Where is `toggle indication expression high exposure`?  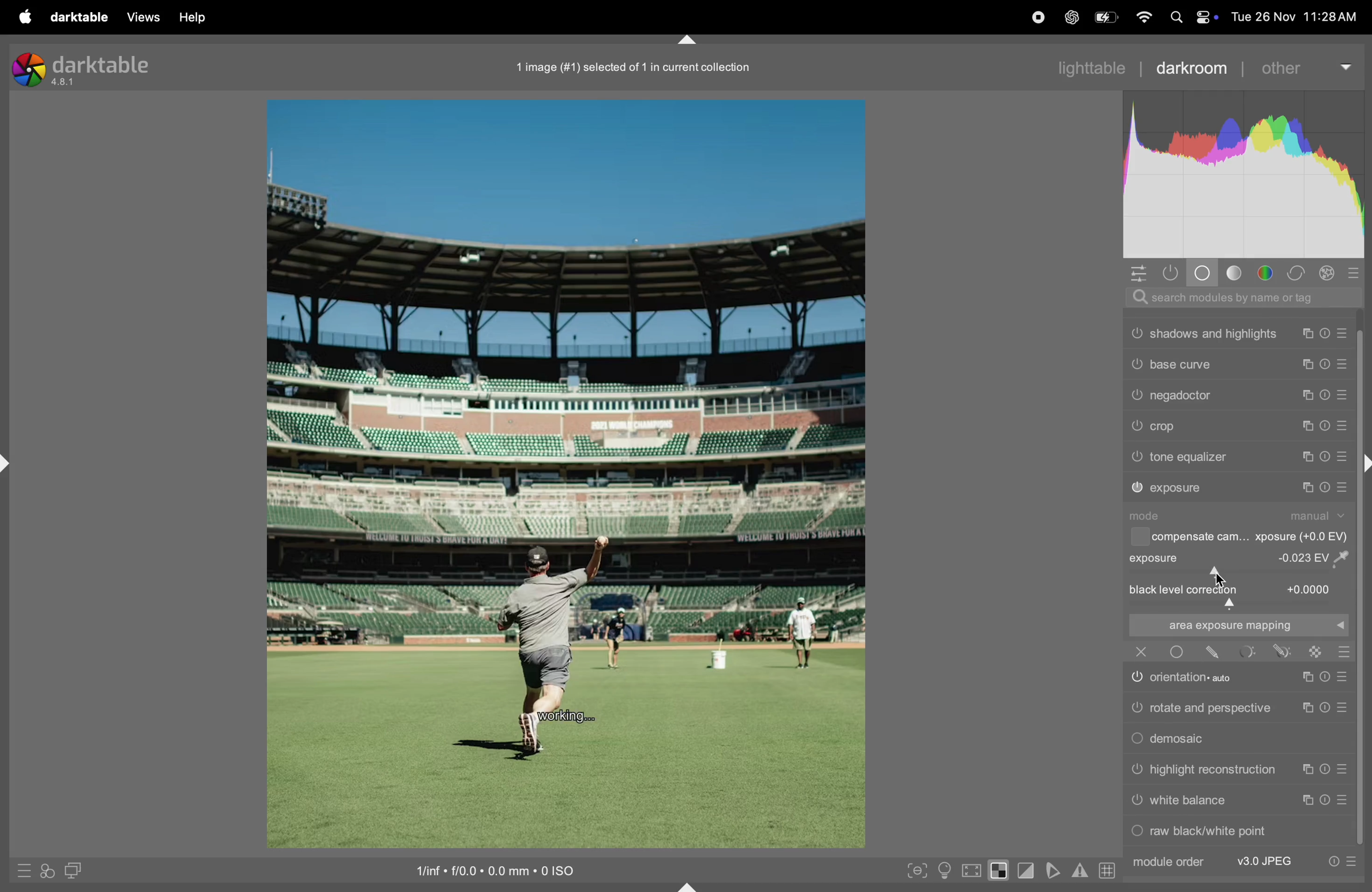 toggle indication expression high exposure is located at coordinates (1000, 870).